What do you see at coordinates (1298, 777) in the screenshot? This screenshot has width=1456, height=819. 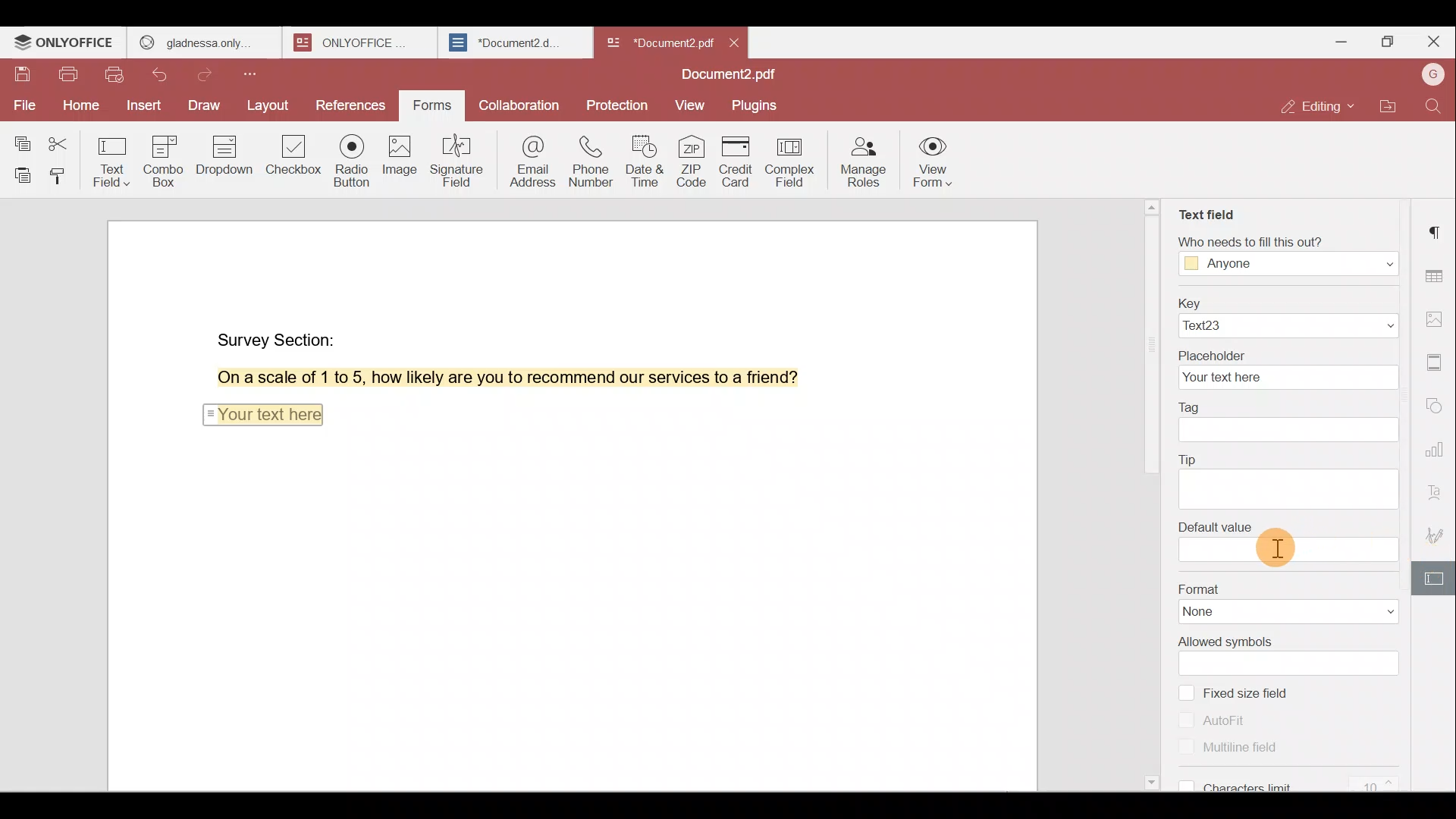 I see `Character limit` at bounding box center [1298, 777].